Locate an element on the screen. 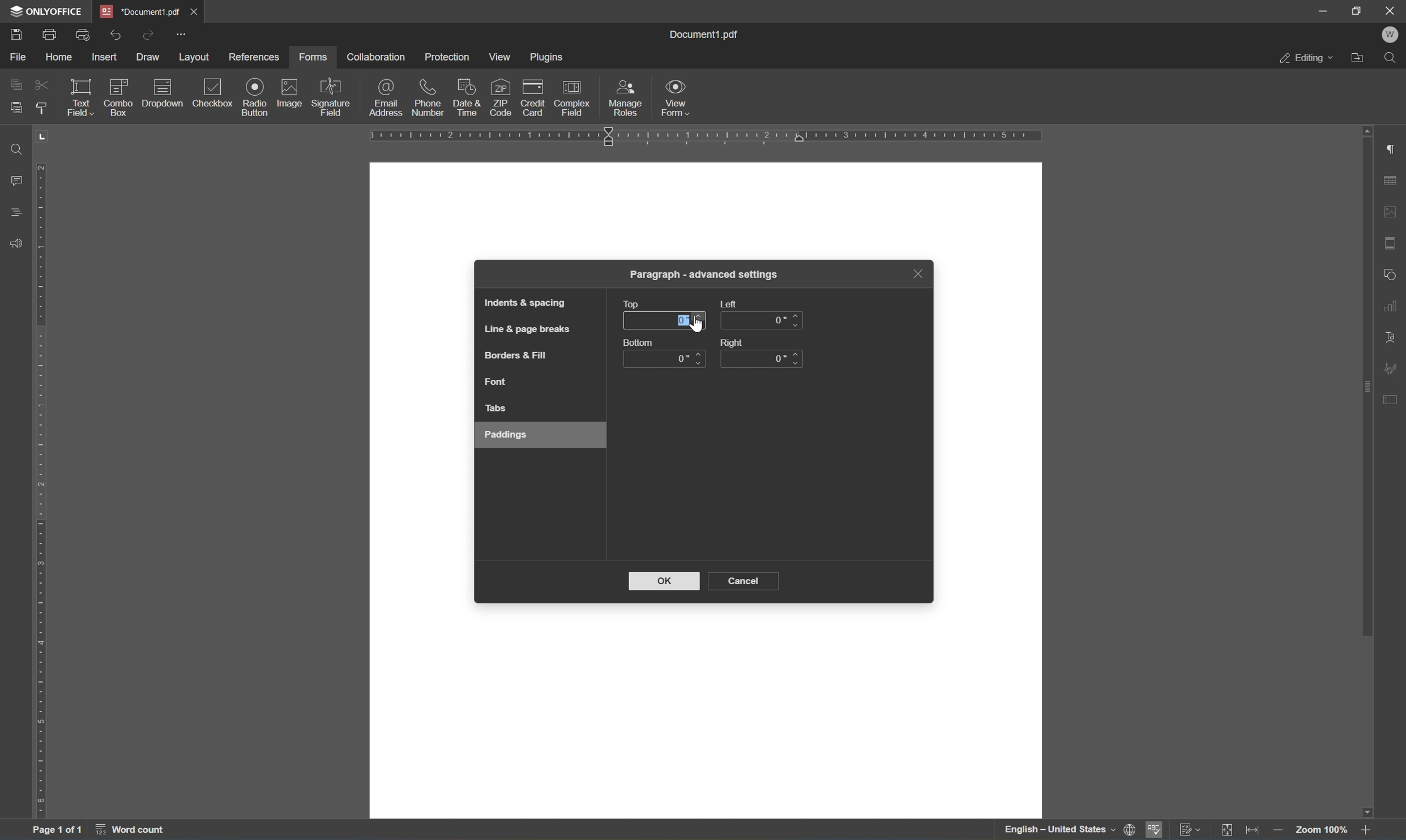  comments is located at coordinates (15, 179).